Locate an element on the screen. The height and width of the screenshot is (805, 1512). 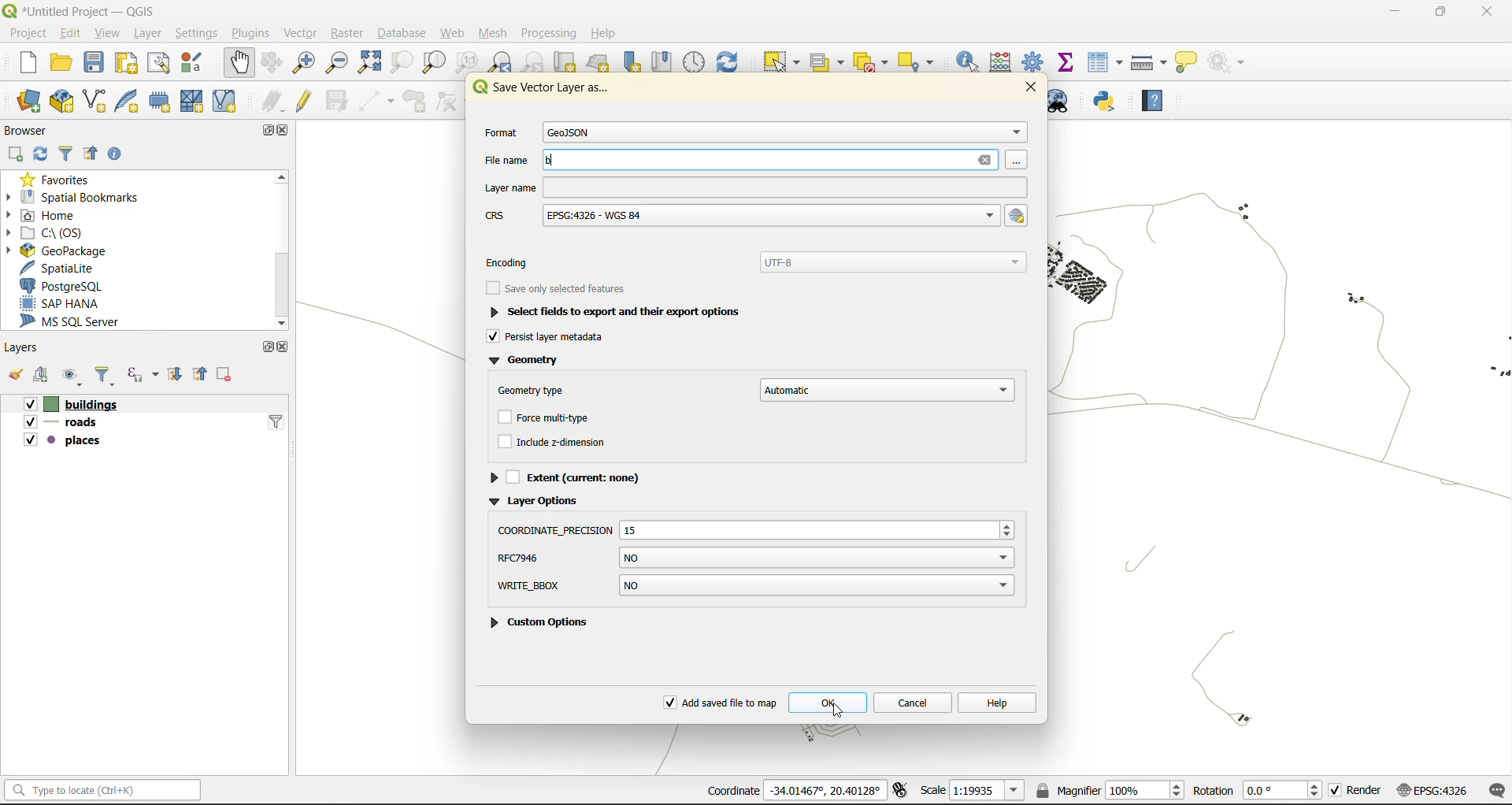
minimize is located at coordinates (1390, 15).